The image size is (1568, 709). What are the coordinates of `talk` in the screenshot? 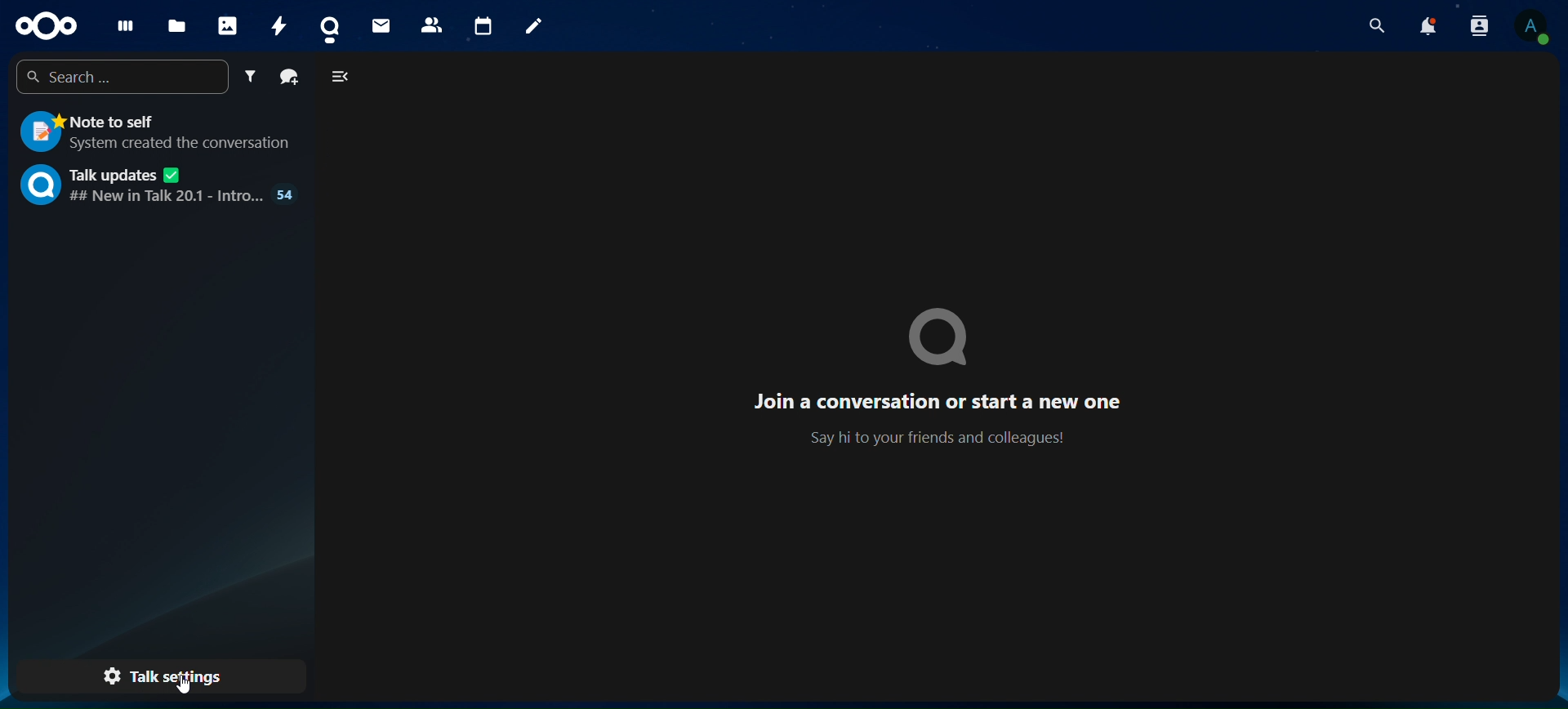 It's located at (330, 26).